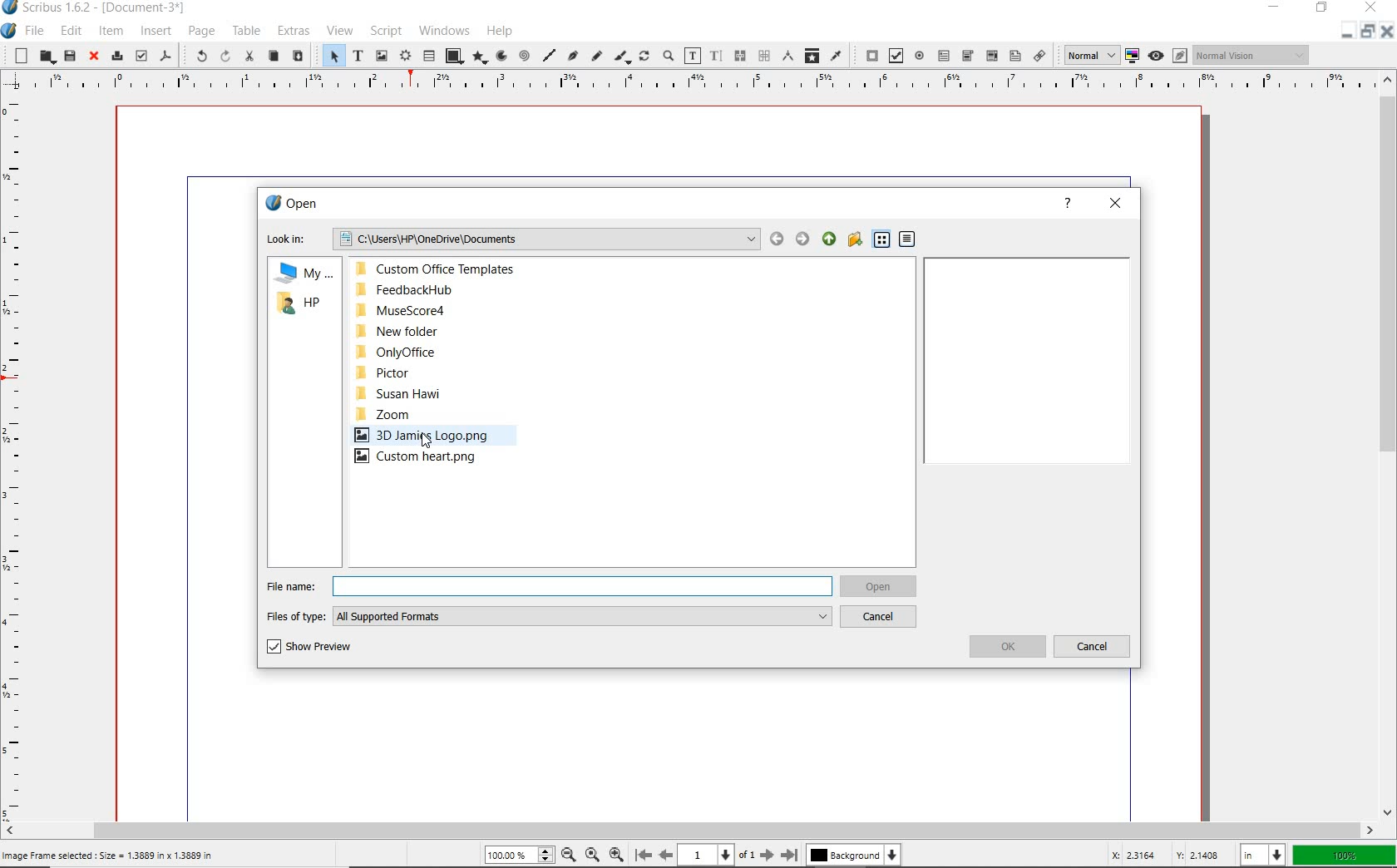 The height and width of the screenshot is (868, 1397). I want to click on spiral, so click(523, 57).